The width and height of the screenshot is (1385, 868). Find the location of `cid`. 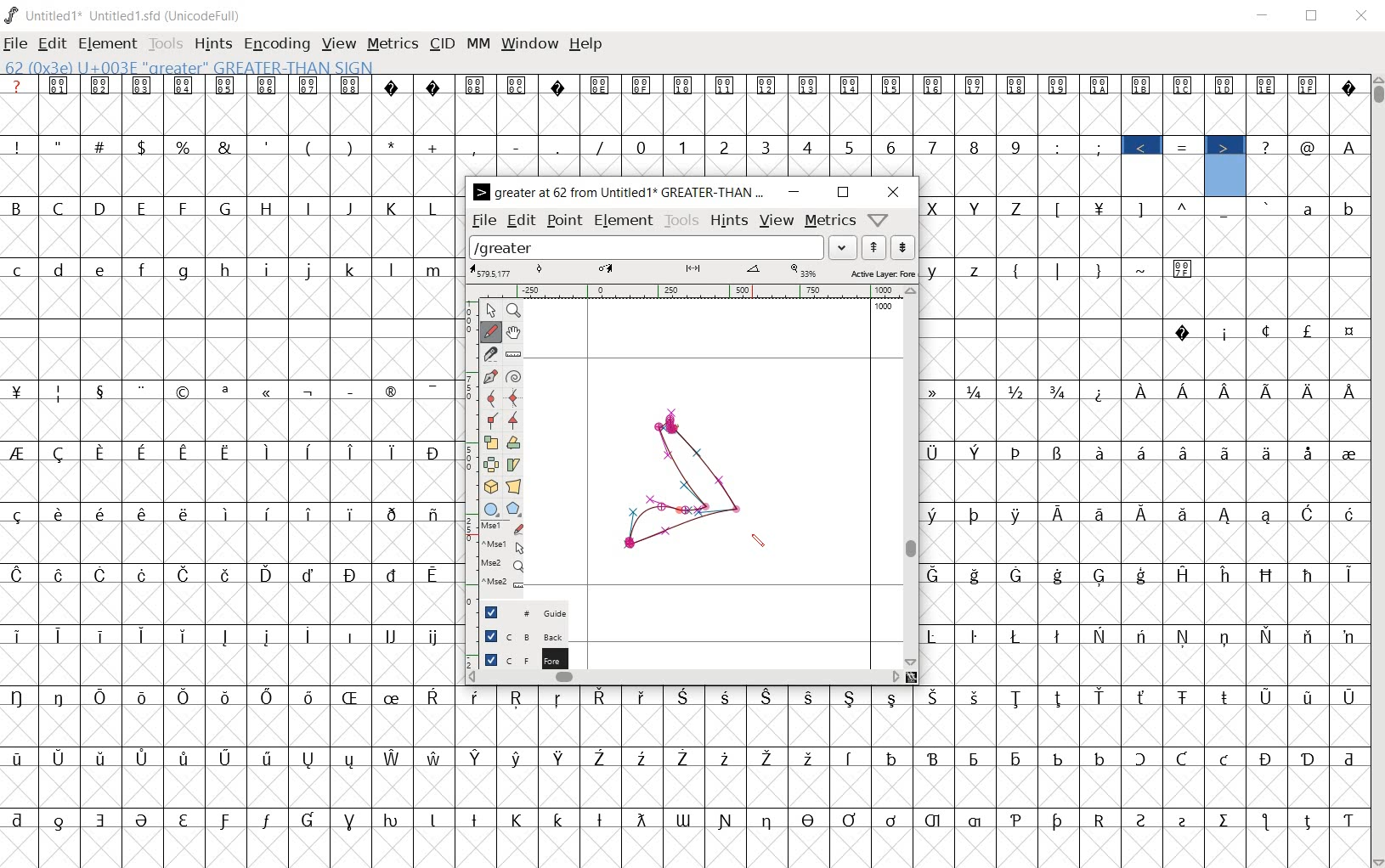

cid is located at coordinates (441, 42).